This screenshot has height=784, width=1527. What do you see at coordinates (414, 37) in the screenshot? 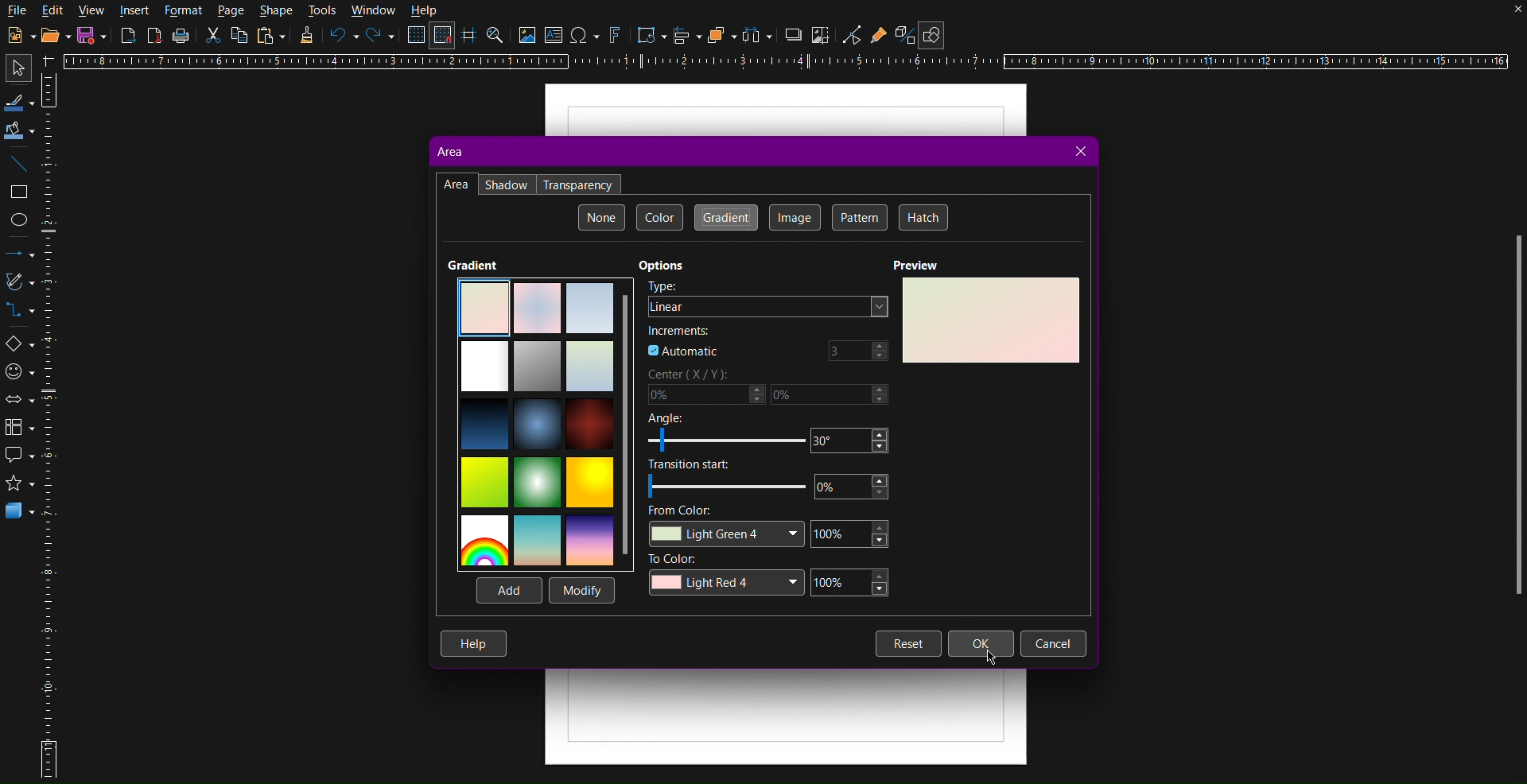
I see `Display Grid` at bounding box center [414, 37].